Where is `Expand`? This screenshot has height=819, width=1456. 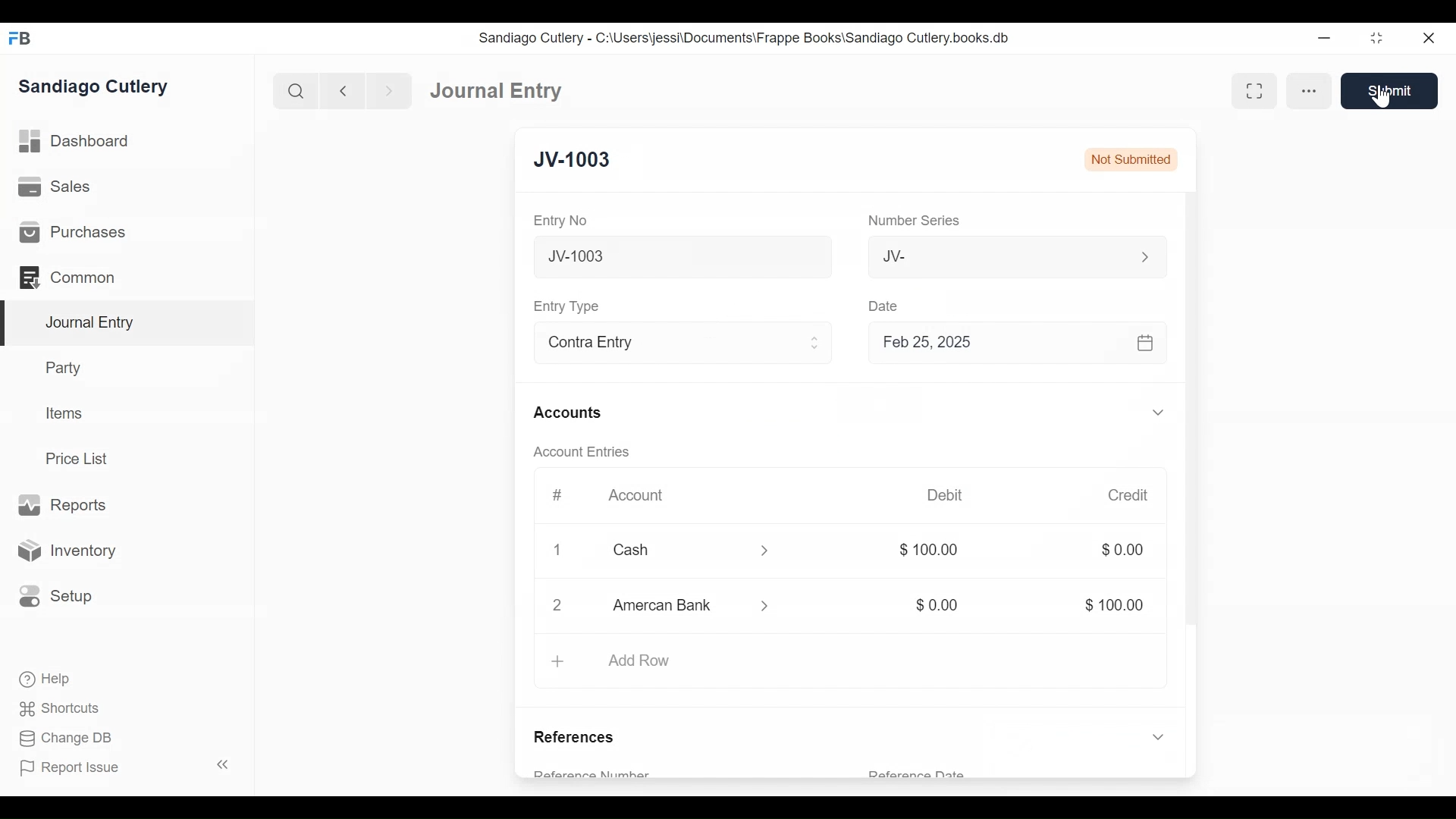 Expand is located at coordinates (1158, 413).